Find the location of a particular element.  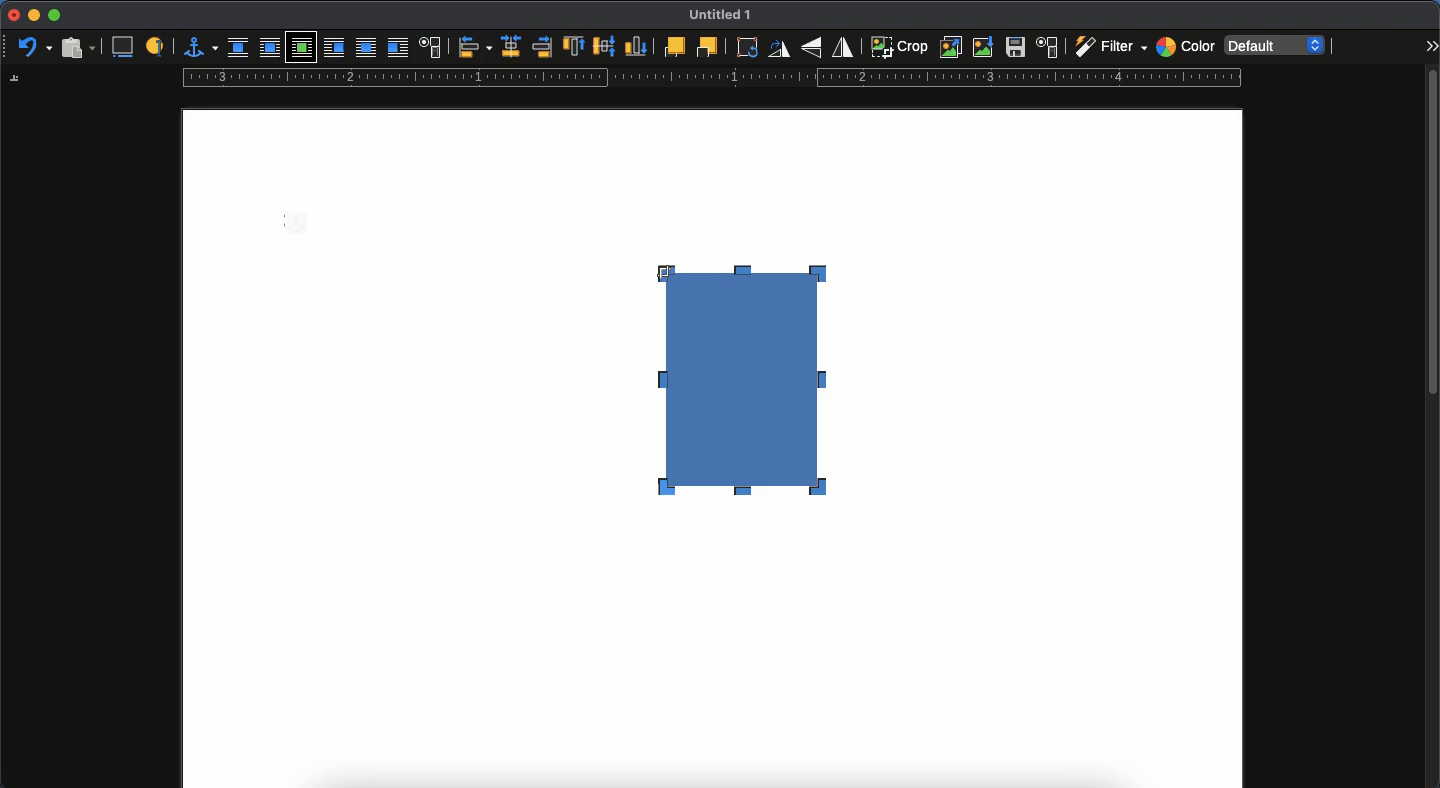

none is located at coordinates (238, 48).